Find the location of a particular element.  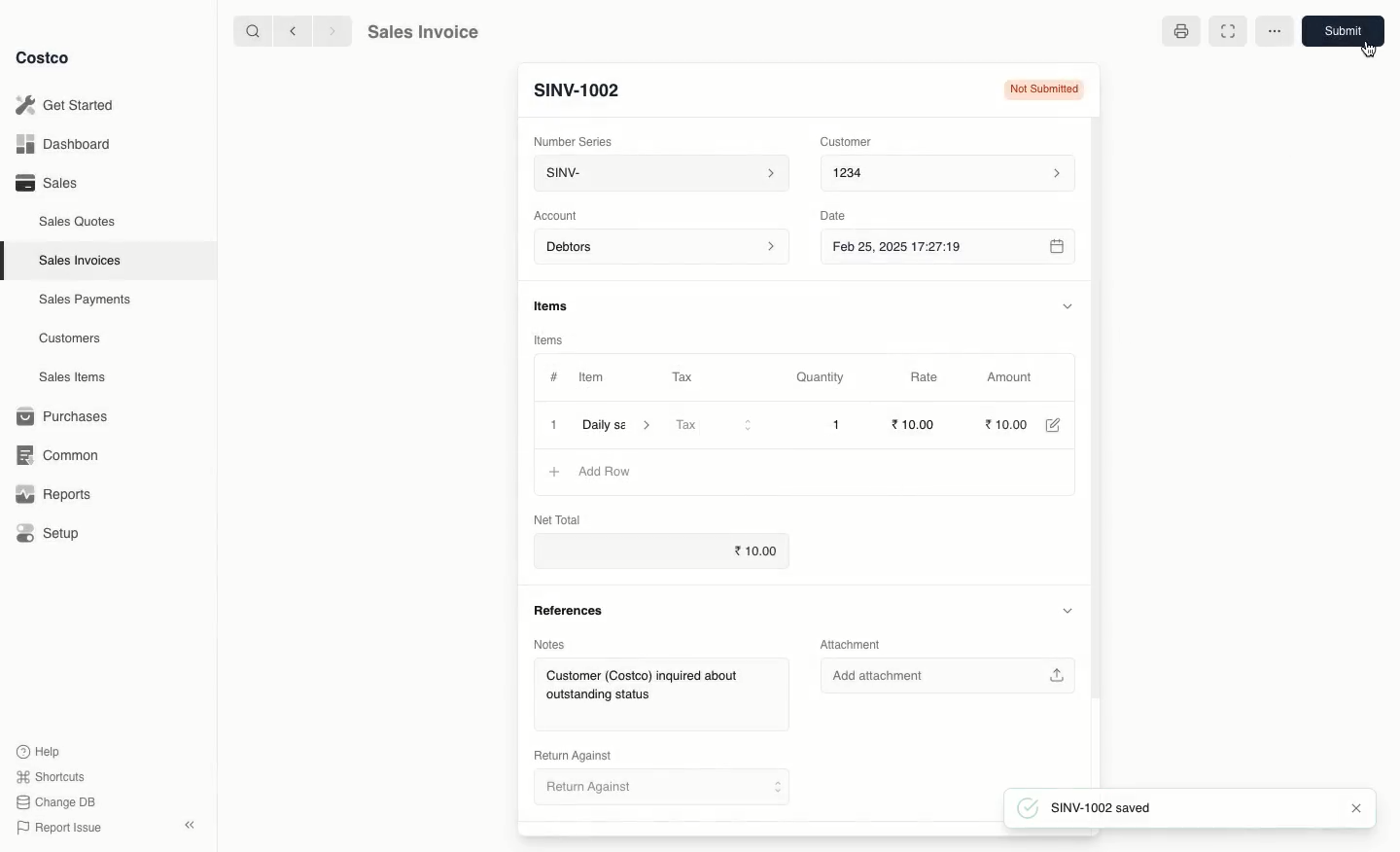

Sales Invoice is located at coordinates (427, 32).